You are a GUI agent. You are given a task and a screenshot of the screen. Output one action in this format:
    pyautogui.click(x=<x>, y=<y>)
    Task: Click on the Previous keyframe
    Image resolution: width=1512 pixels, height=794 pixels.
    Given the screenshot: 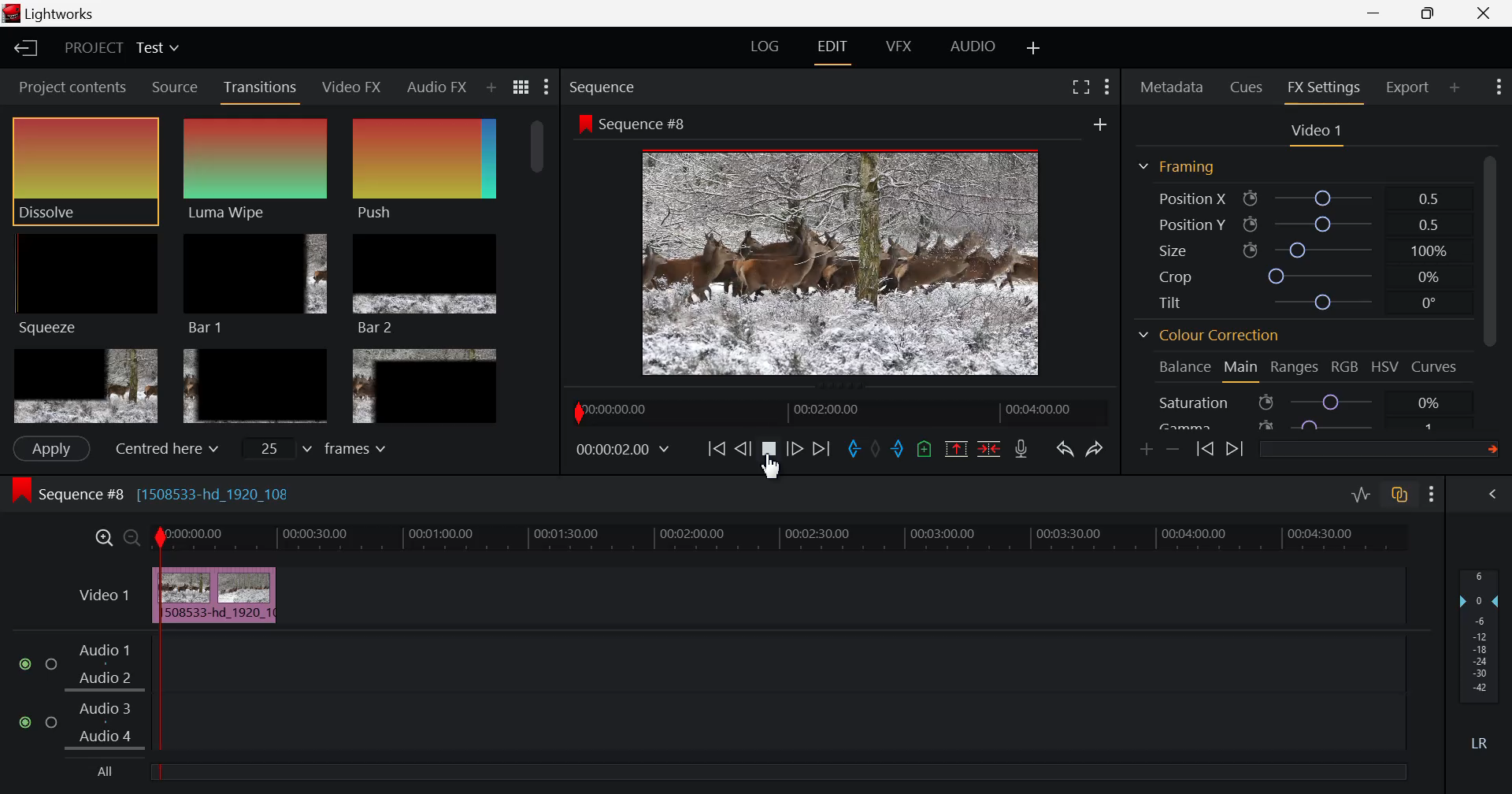 What is the action you would take?
    pyautogui.click(x=1206, y=451)
    